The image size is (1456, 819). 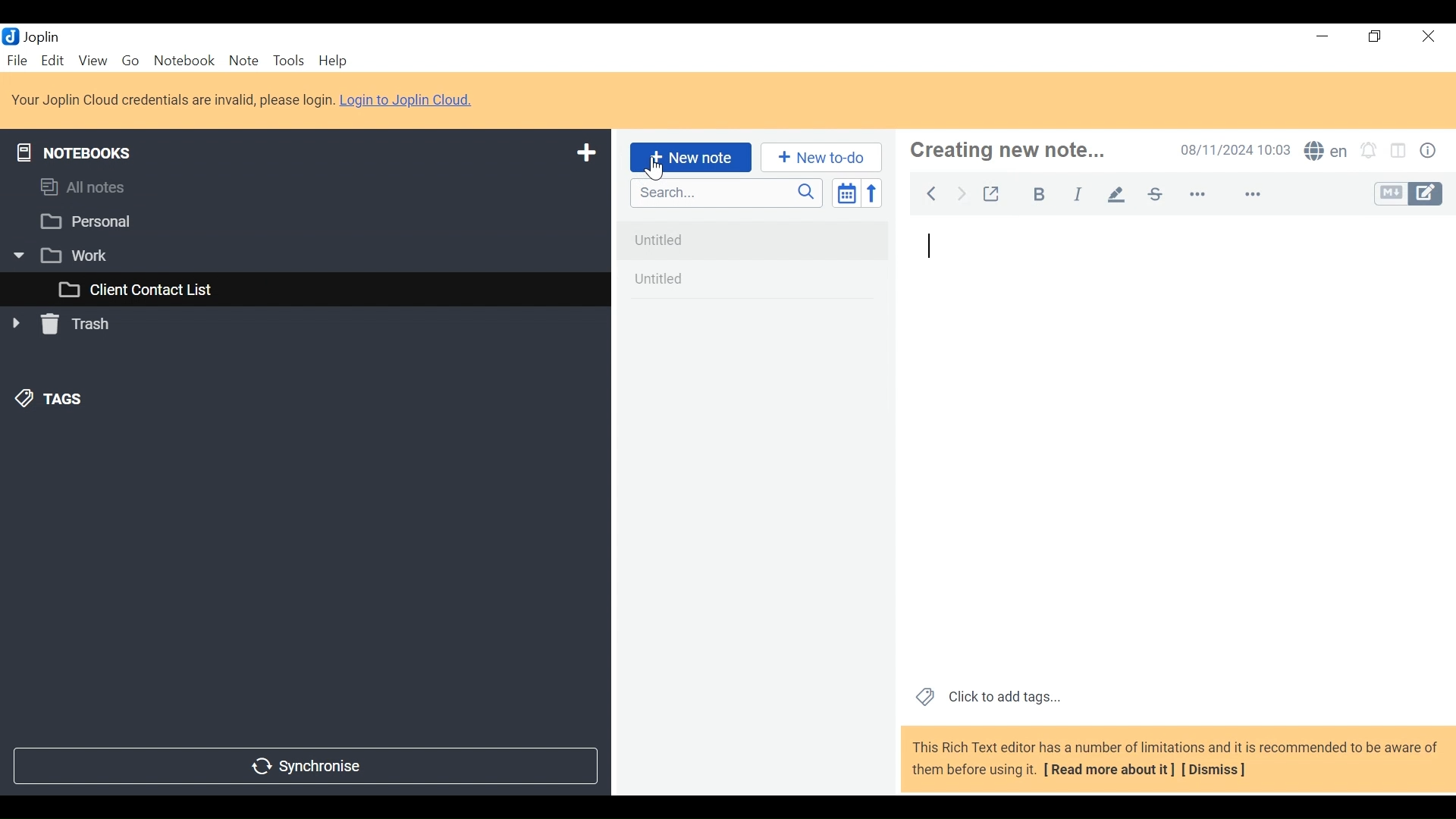 What do you see at coordinates (1173, 761) in the screenshot?
I see `This Rich Text editor has a number of limitations and it is recommended to be aware before using it (read more about it) (dismiss)` at bounding box center [1173, 761].